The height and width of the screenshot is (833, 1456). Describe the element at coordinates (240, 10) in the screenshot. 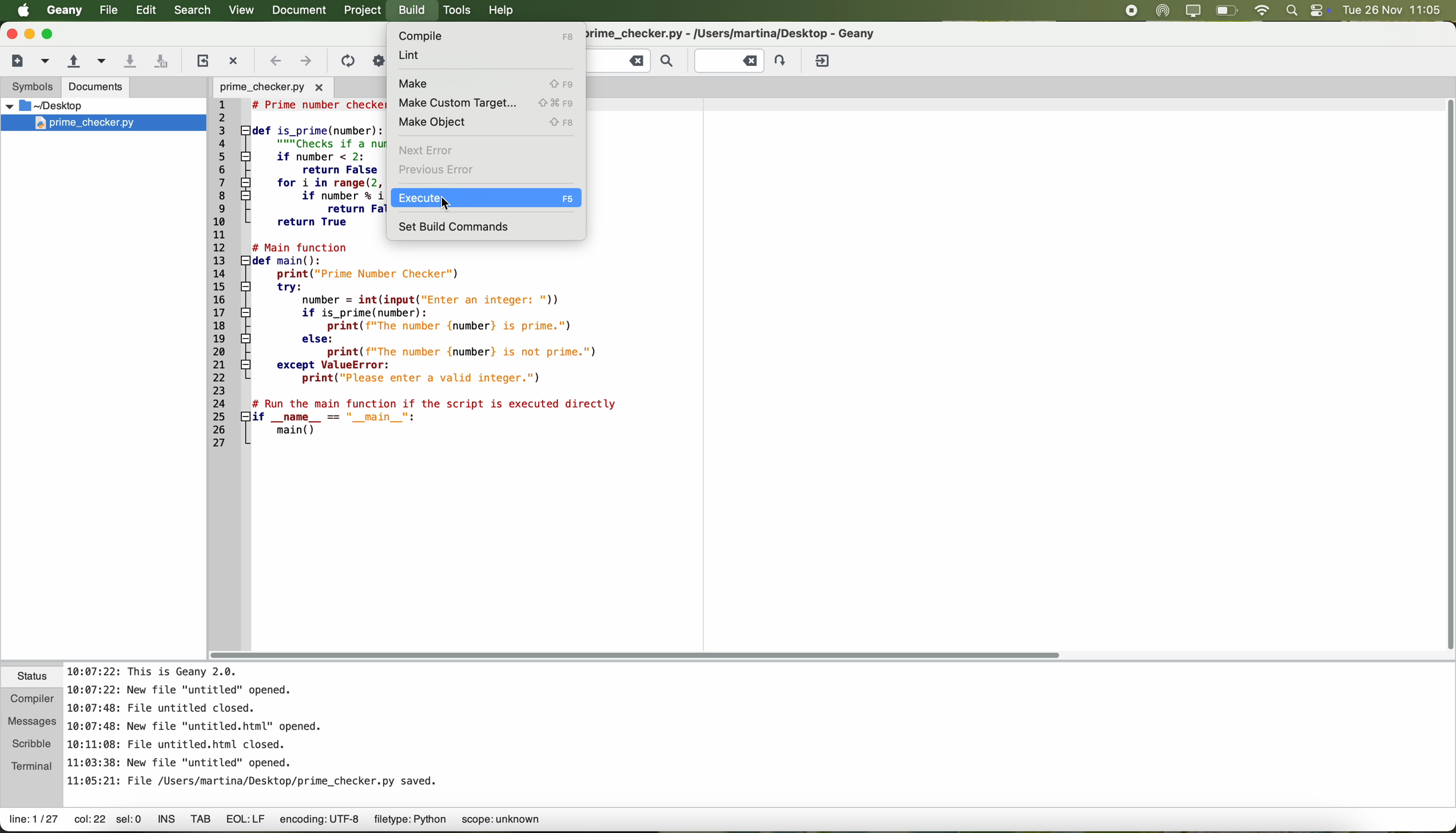

I see `view` at that location.